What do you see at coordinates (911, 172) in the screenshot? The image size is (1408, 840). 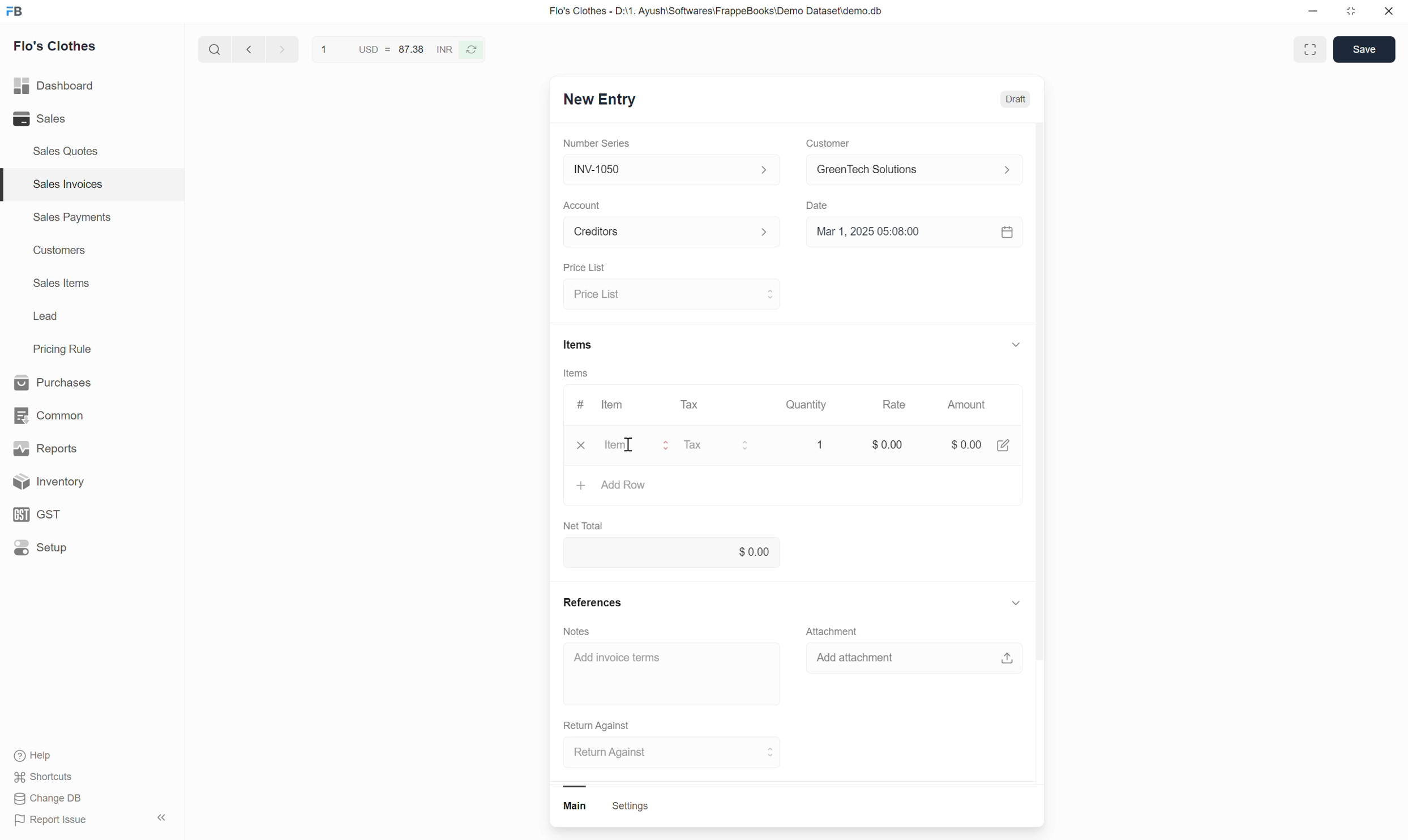 I see `select customer` at bounding box center [911, 172].